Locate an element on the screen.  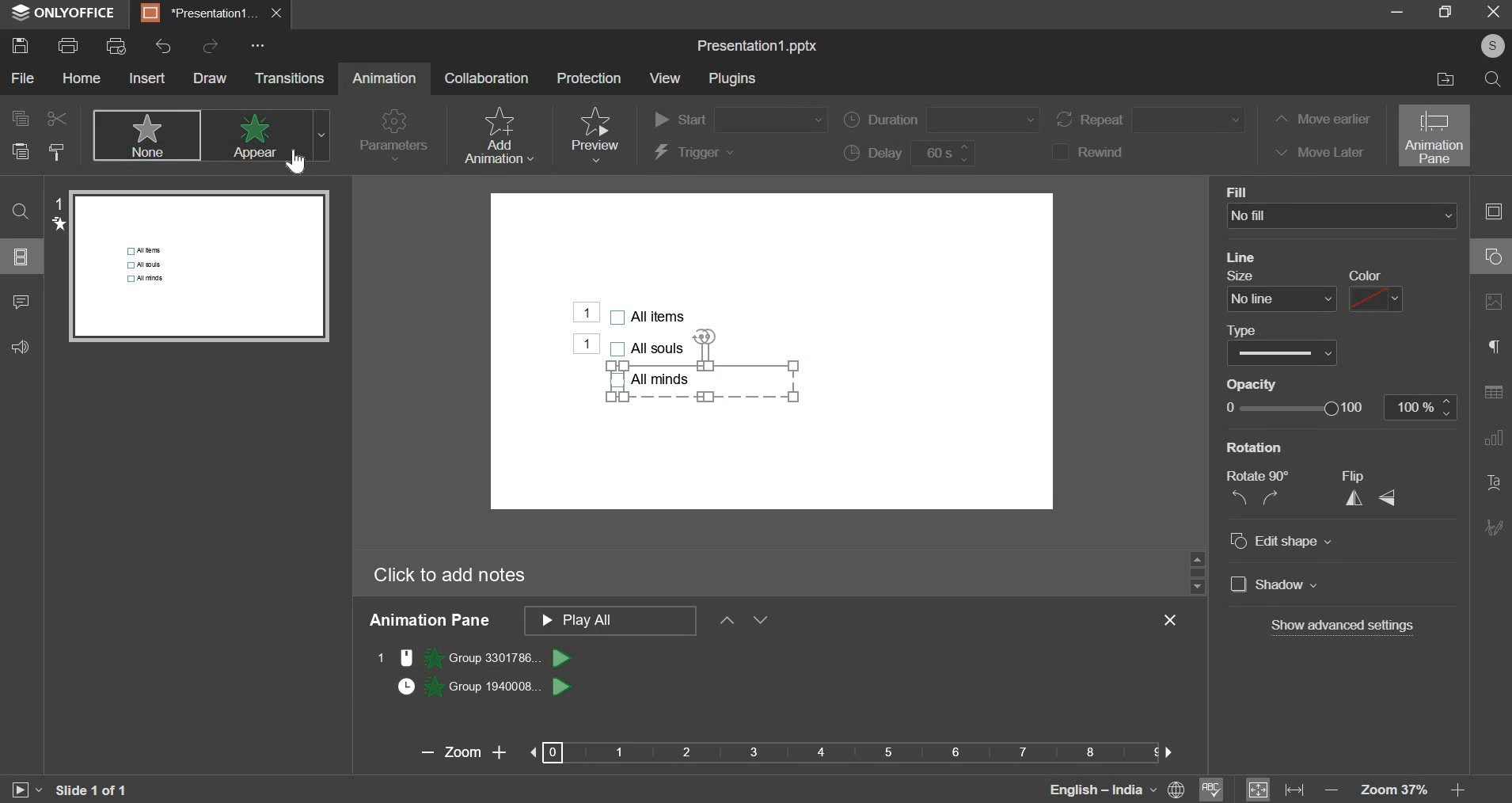
spelling is located at coordinates (1212, 787).